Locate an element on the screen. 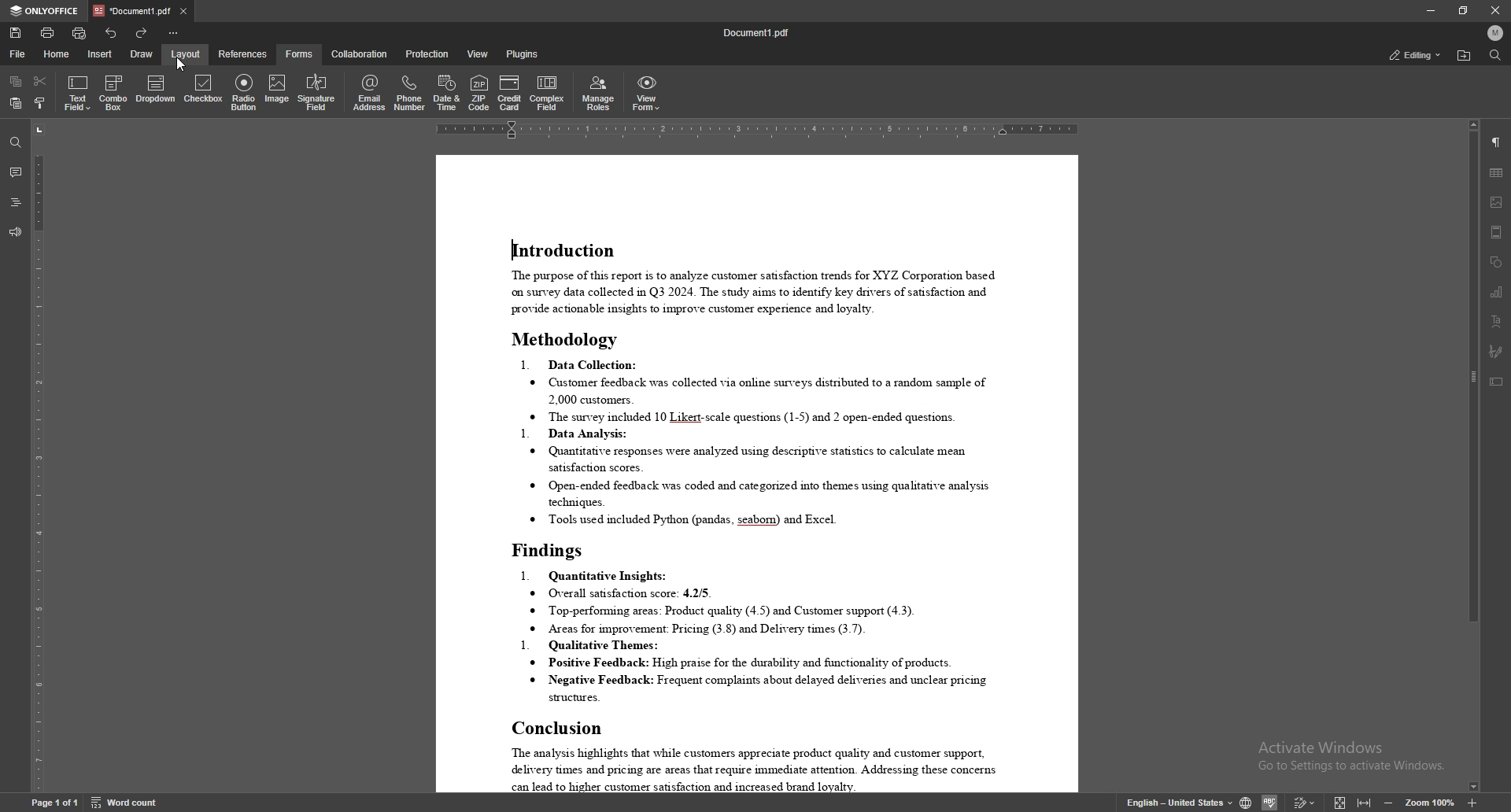  feedback is located at coordinates (16, 232).